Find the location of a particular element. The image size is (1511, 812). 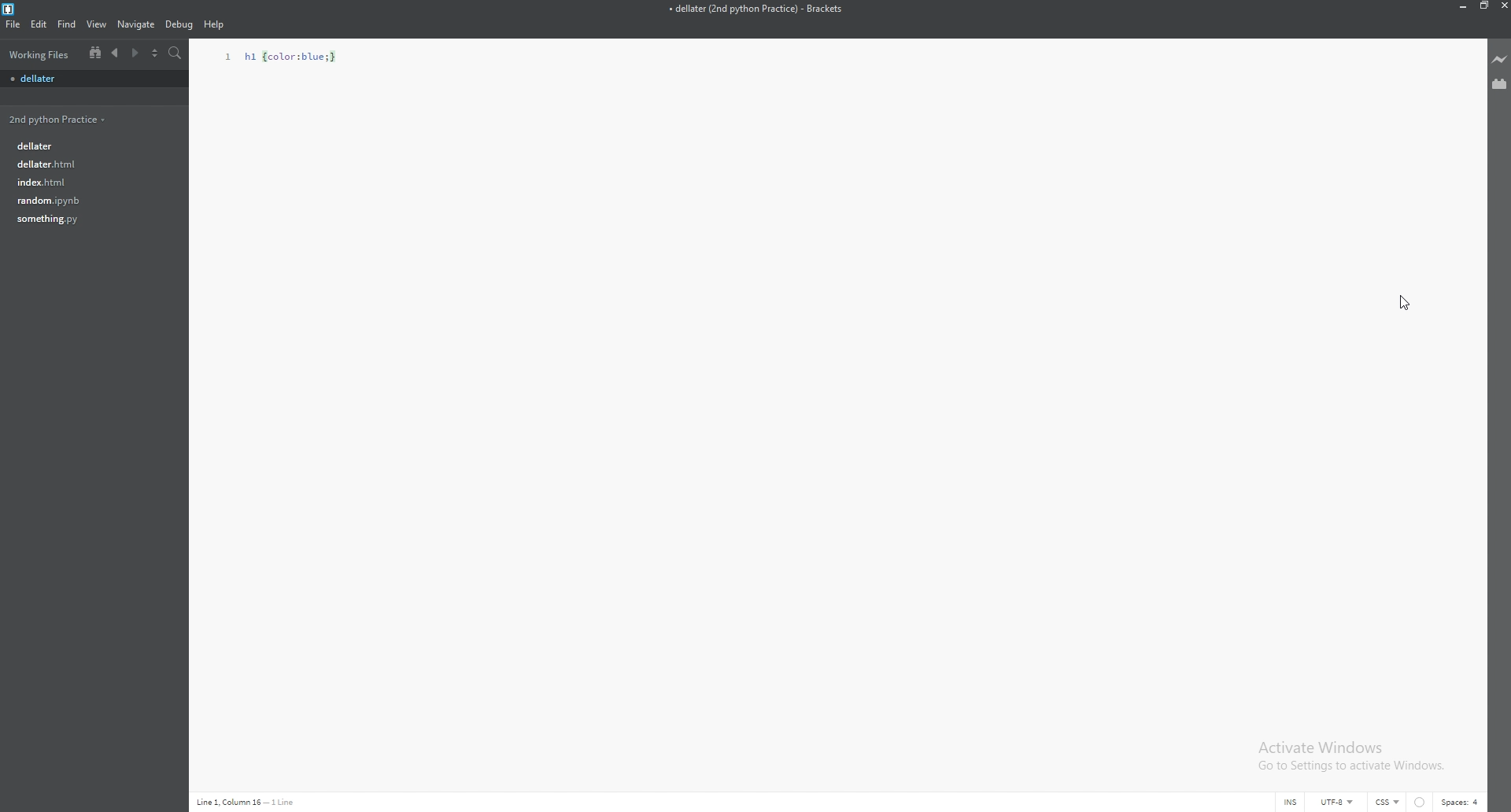

minimize is located at coordinates (1460, 6).